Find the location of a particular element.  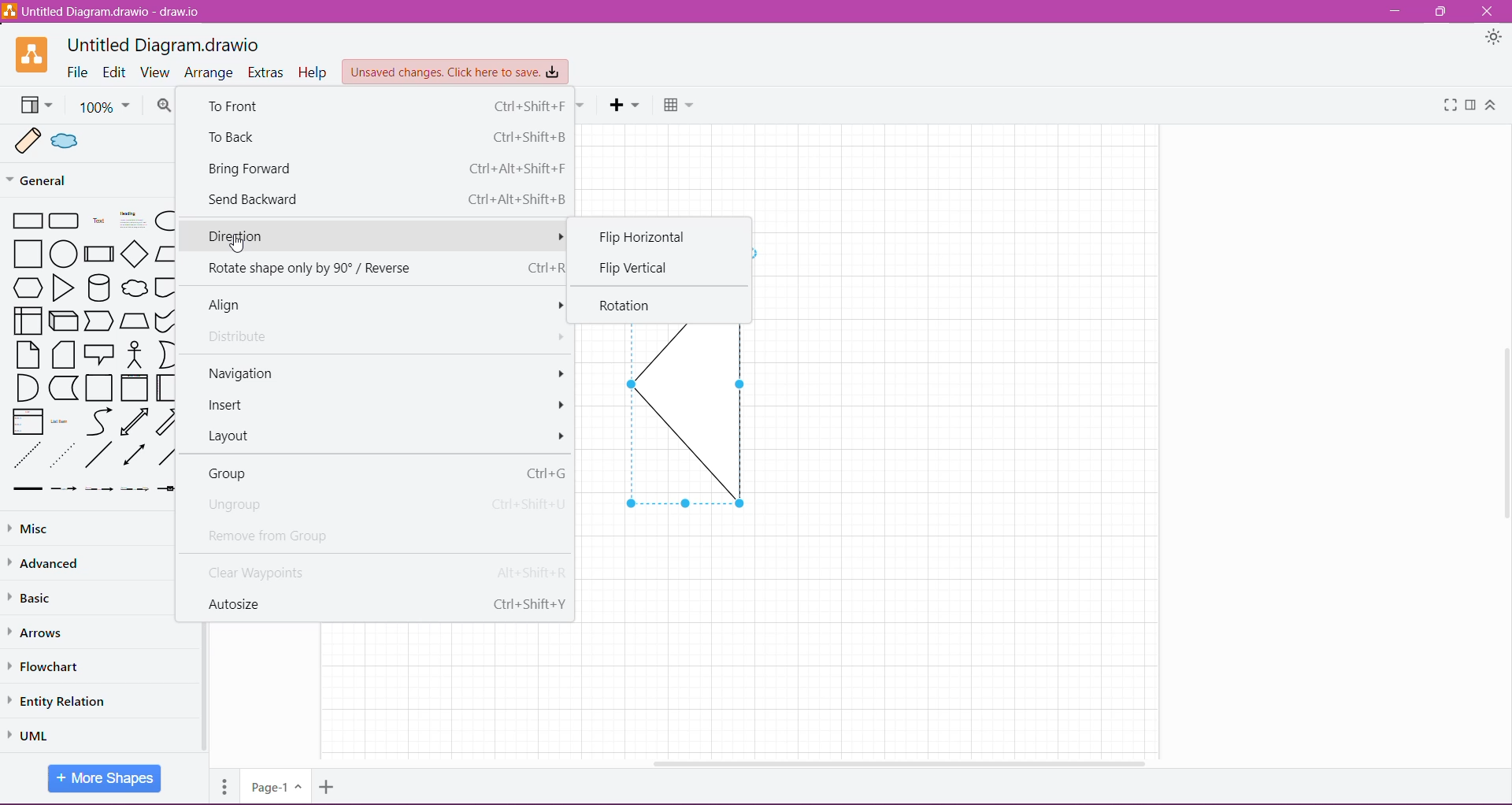

General is located at coordinates (69, 180).